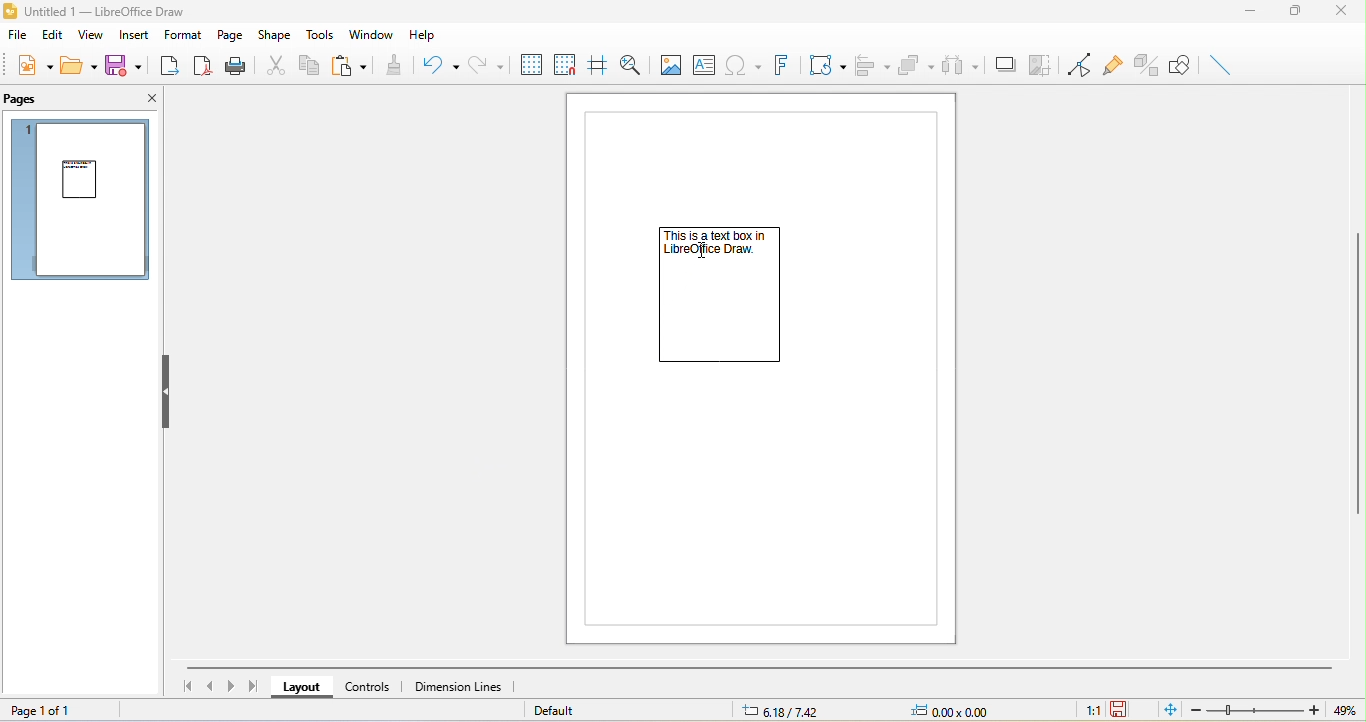 This screenshot has width=1366, height=722. I want to click on tools, so click(320, 36).